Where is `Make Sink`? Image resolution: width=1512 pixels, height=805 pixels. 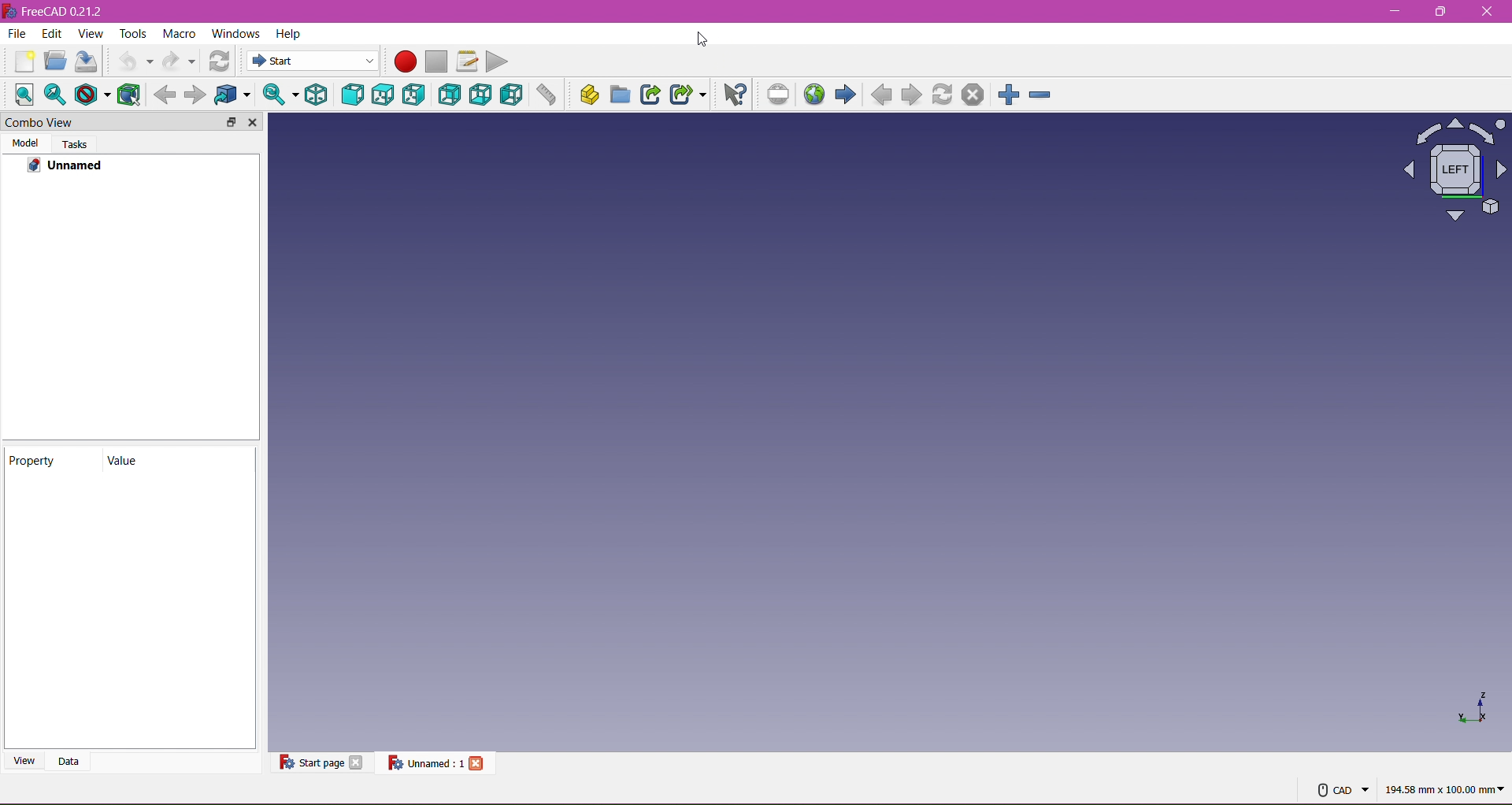
Make Sink is located at coordinates (650, 93).